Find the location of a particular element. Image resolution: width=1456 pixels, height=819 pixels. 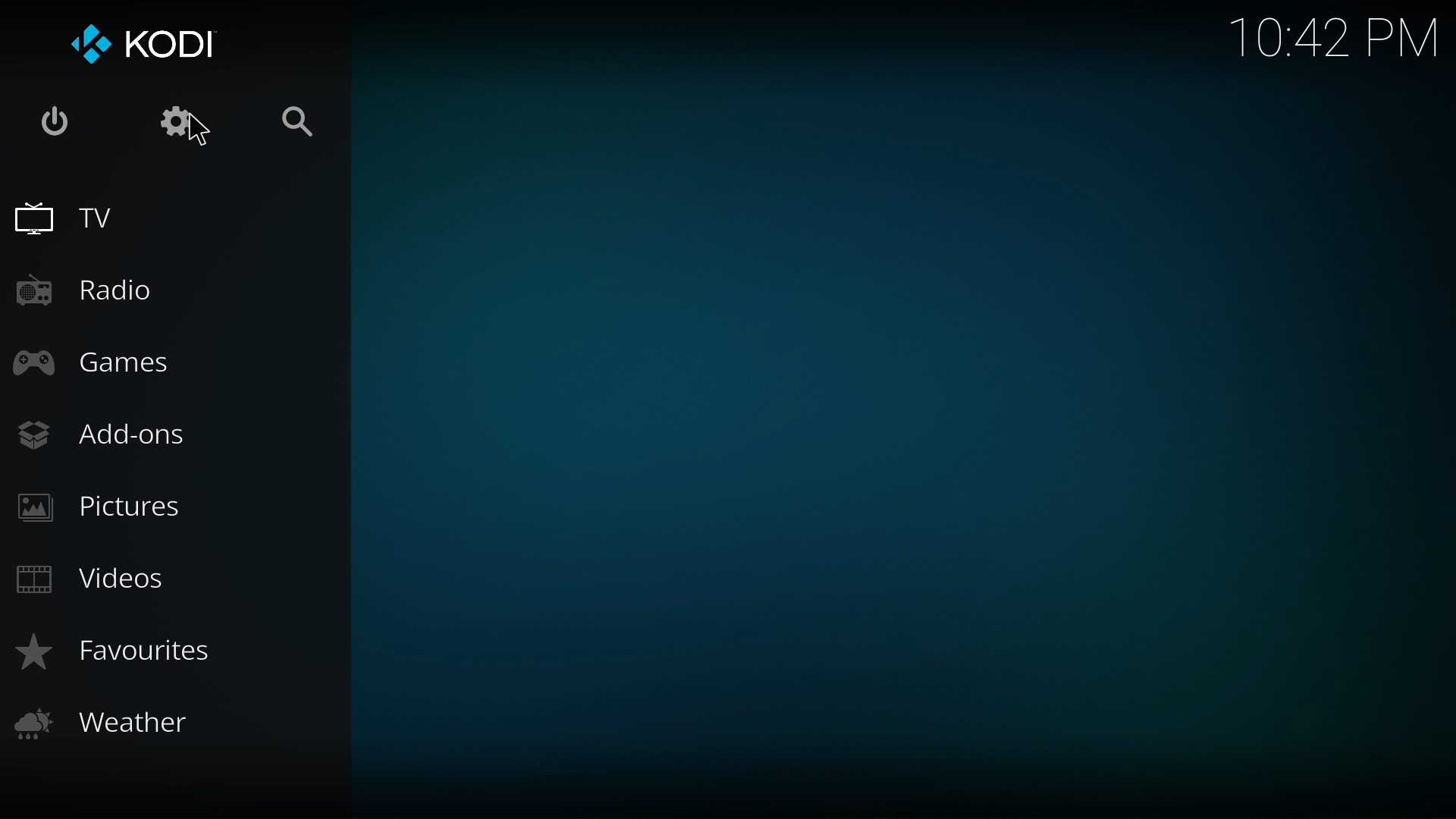

setting is located at coordinates (181, 127).